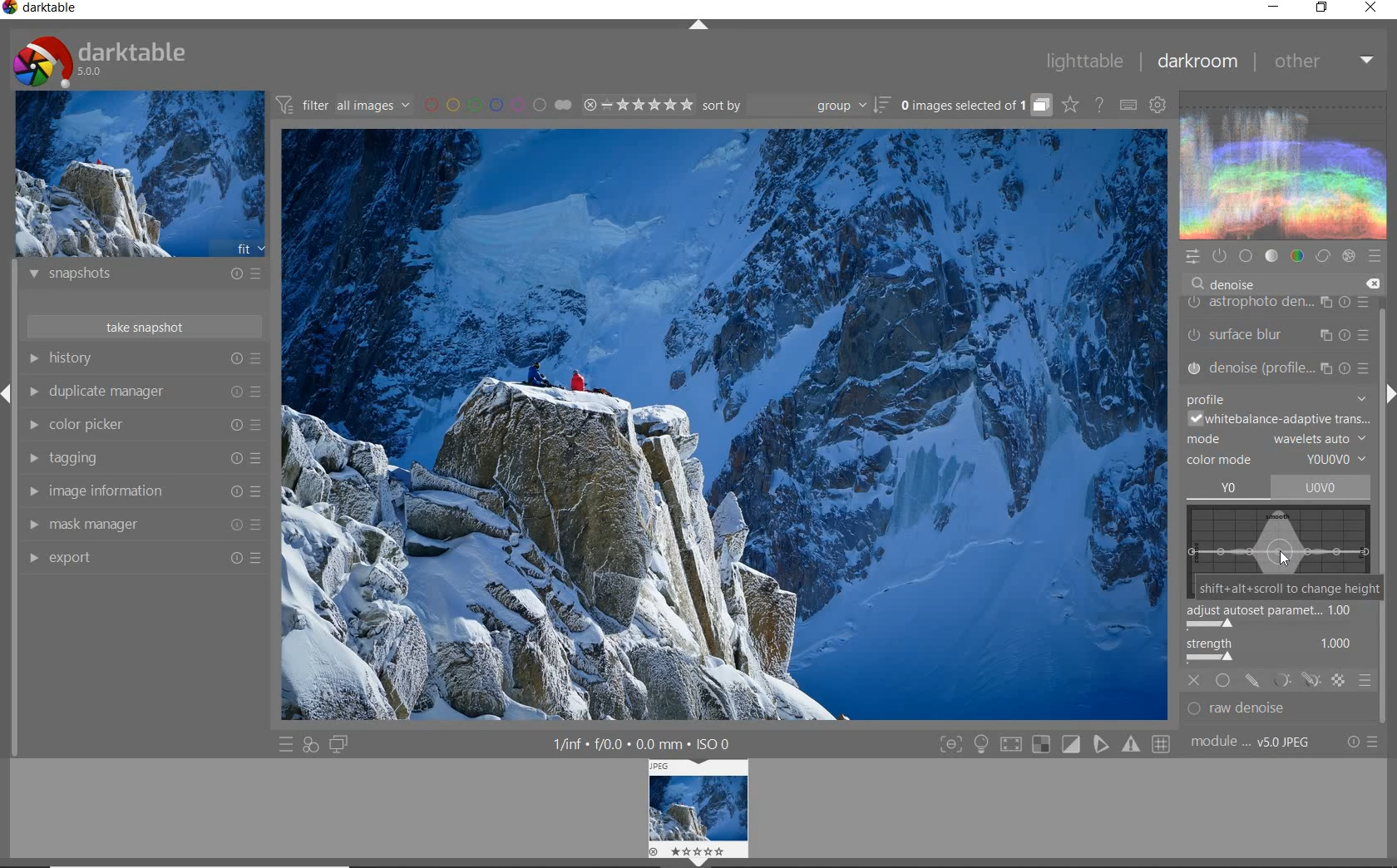  What do you see at coordinates (143, 459) in the screenshot?
I see `tagging` at bounding box center [143, 459].